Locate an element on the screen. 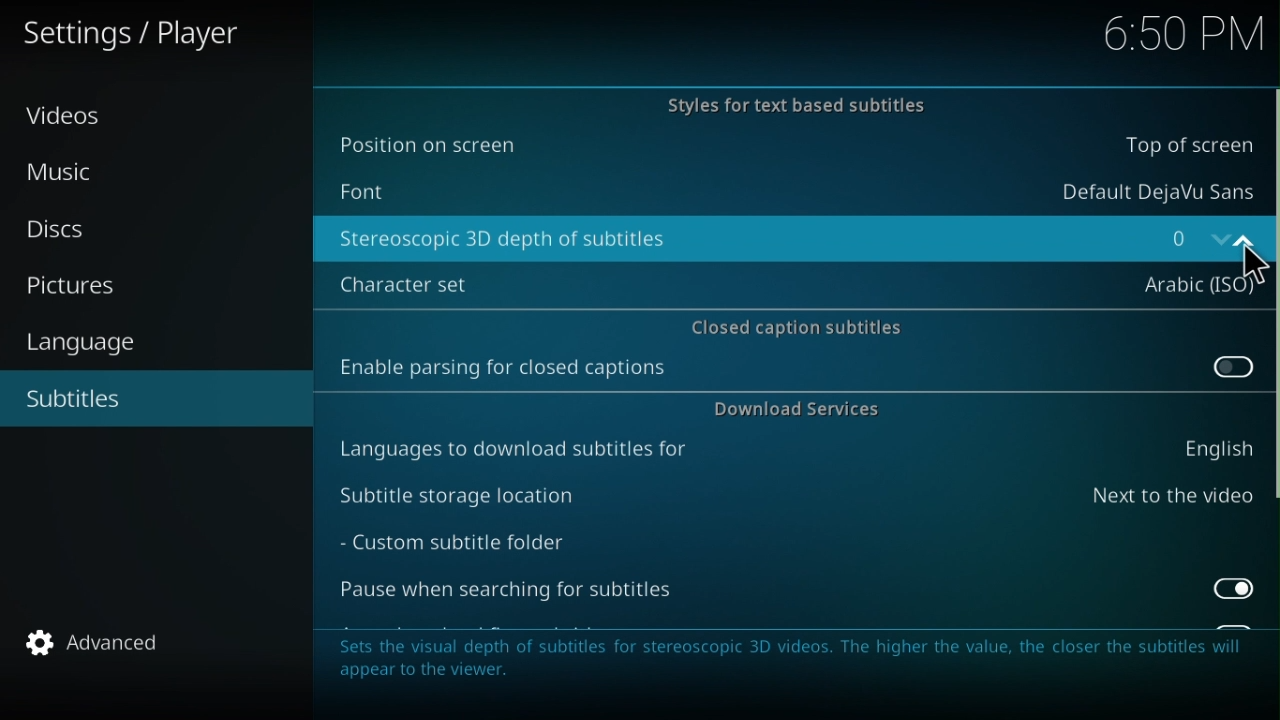 This screenshot has height=720, width=1280. Position on the screen is located at coordinates (787, 146).